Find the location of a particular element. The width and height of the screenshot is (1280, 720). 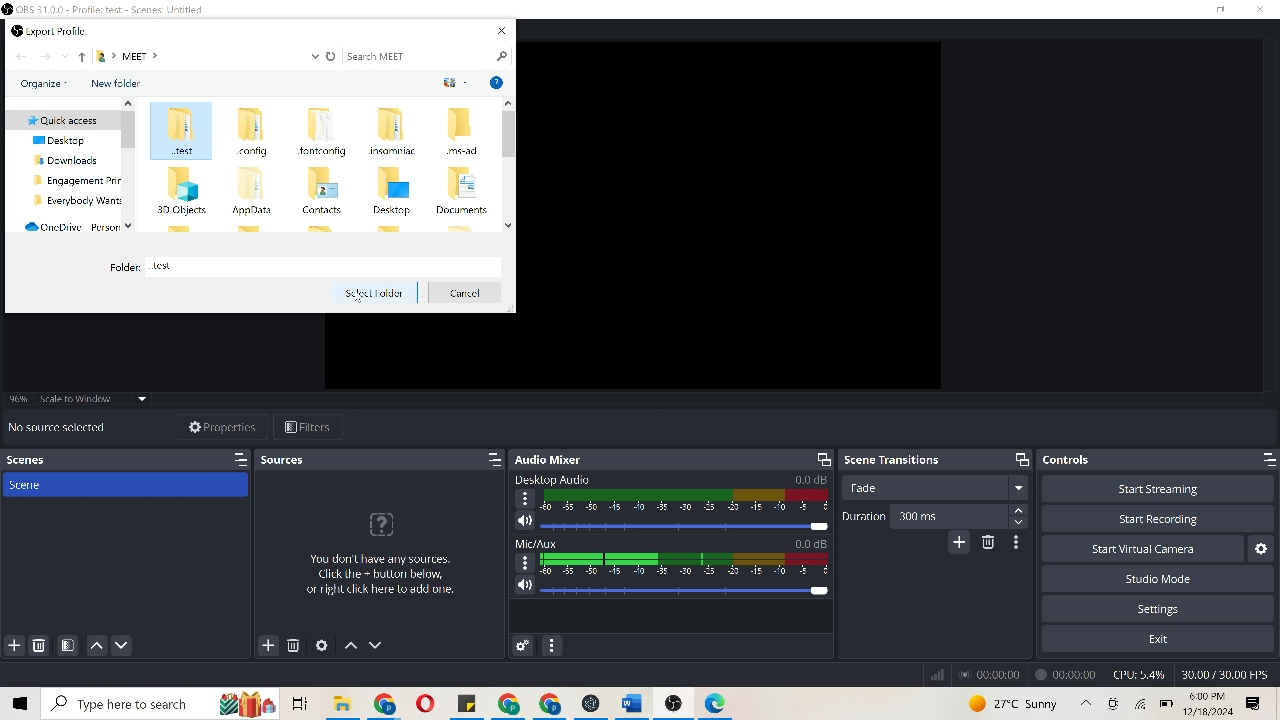

transition properties is located at coordinates (1013, 542).